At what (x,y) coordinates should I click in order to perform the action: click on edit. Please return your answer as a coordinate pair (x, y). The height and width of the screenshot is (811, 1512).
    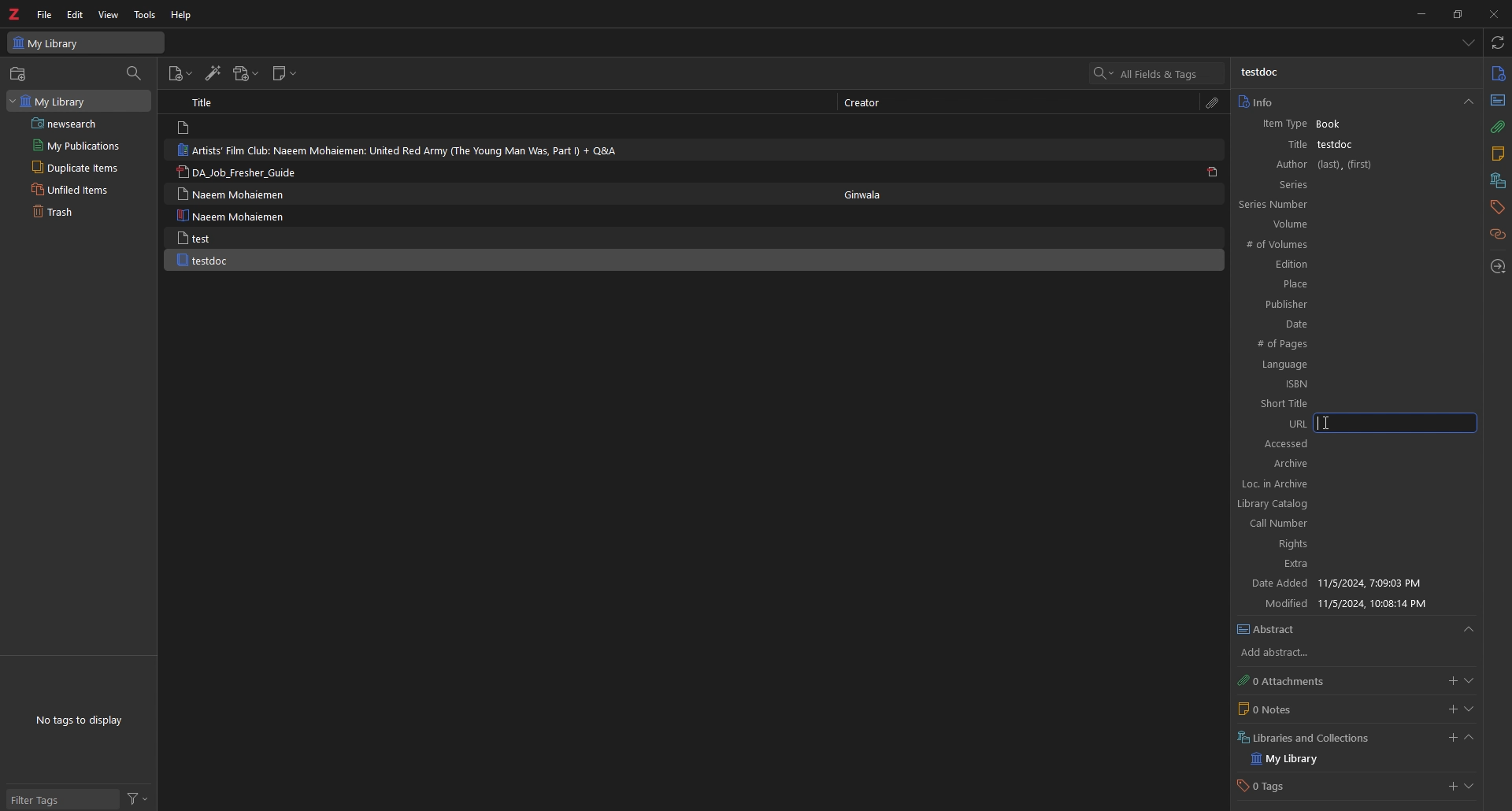
    Looking at the image, I should click on (76, 14).